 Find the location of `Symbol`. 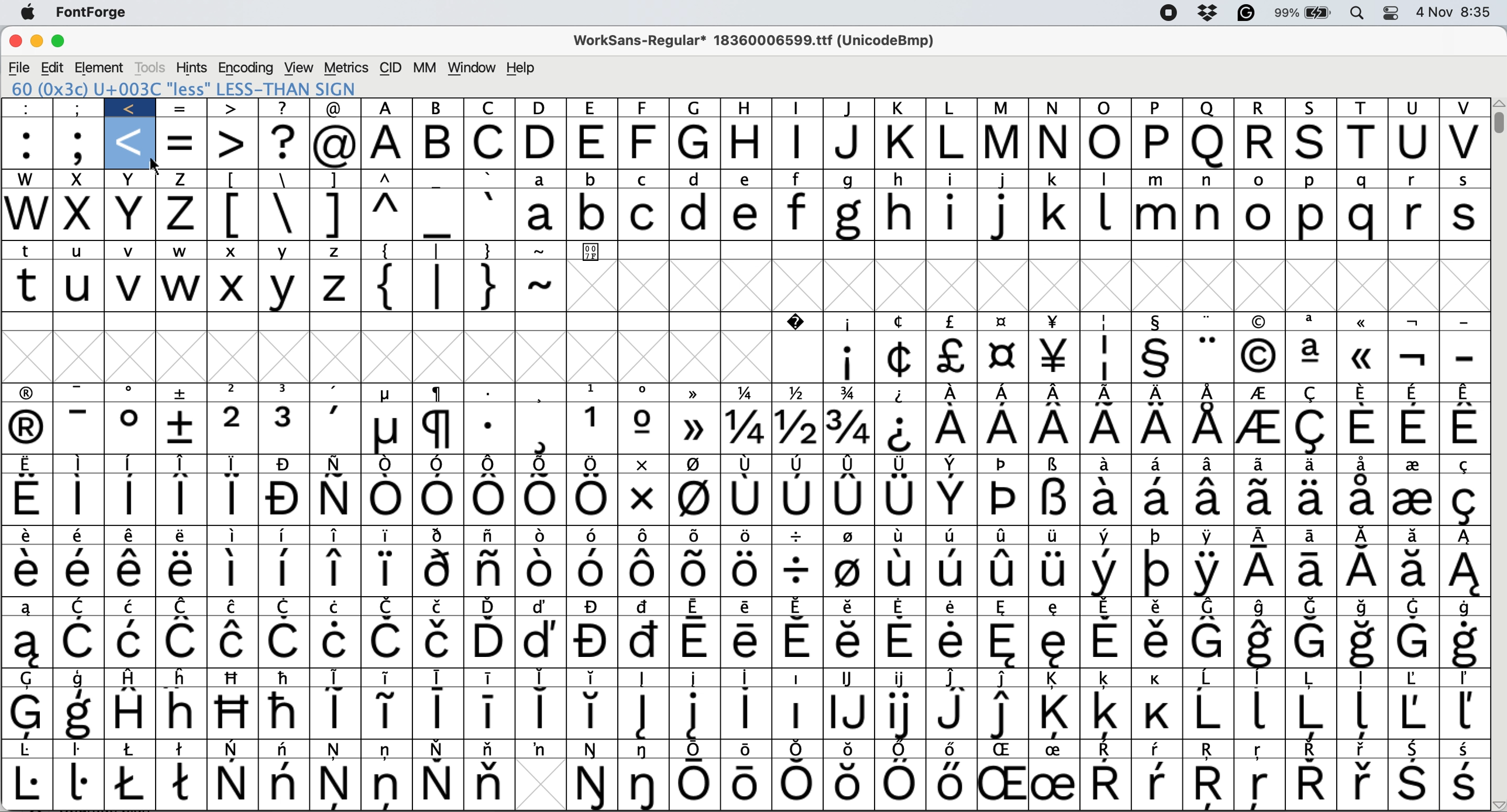

Symbol is located at coordinates (1162, 392).